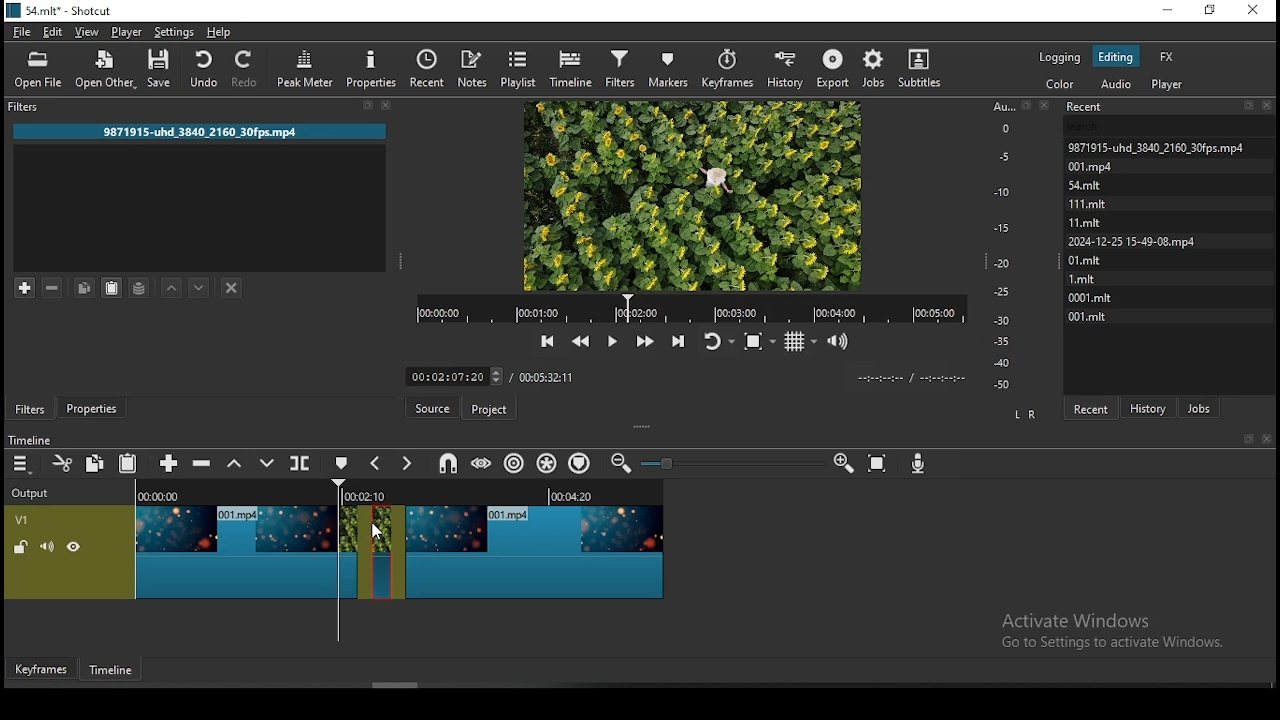  I want to click on play/pause, so click(611, 340).